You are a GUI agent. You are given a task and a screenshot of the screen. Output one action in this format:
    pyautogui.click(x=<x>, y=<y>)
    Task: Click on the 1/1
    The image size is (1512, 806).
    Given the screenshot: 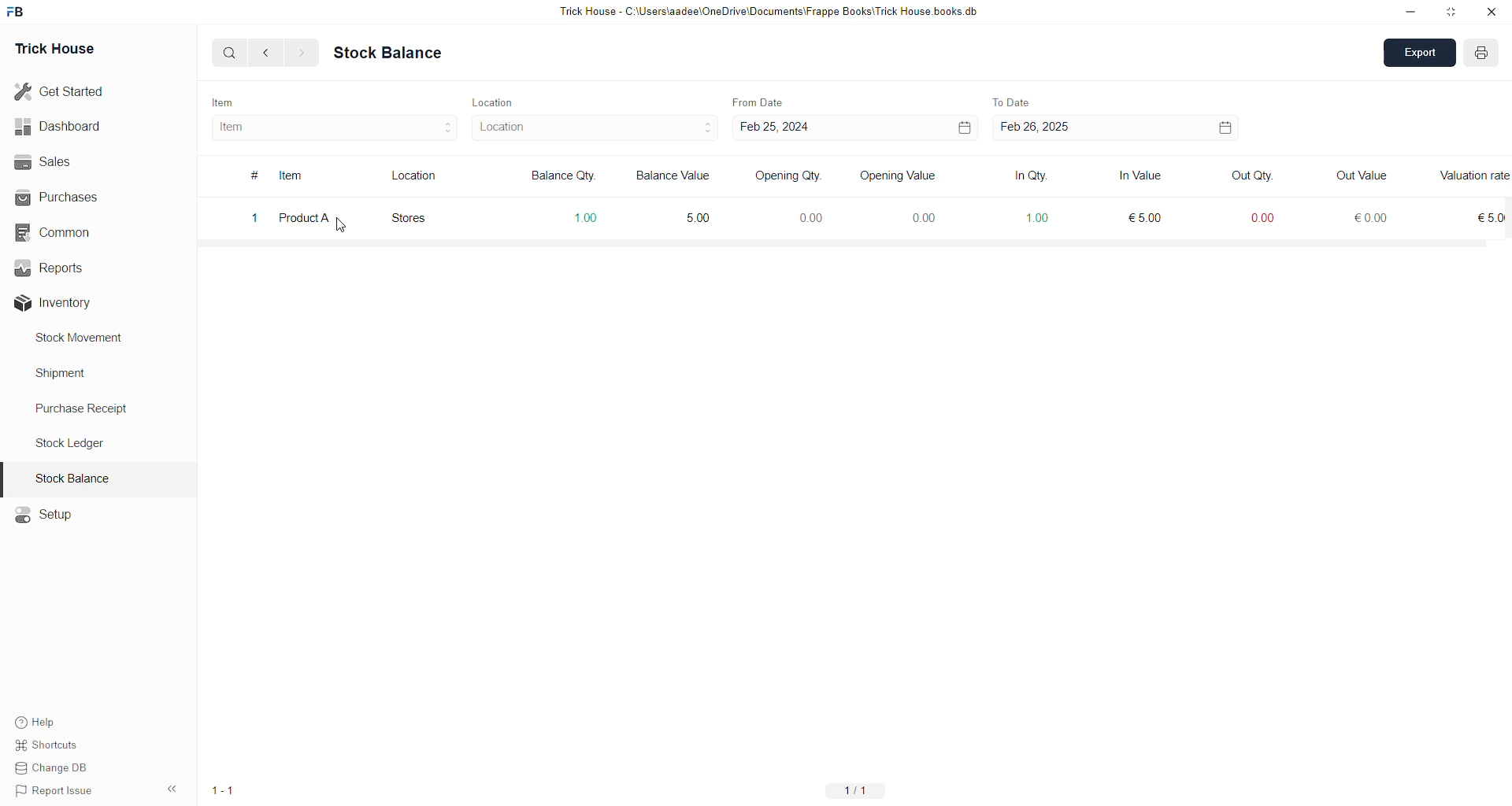 What is the action you would take?
    pyautogui.click(x=855, y=789)
    